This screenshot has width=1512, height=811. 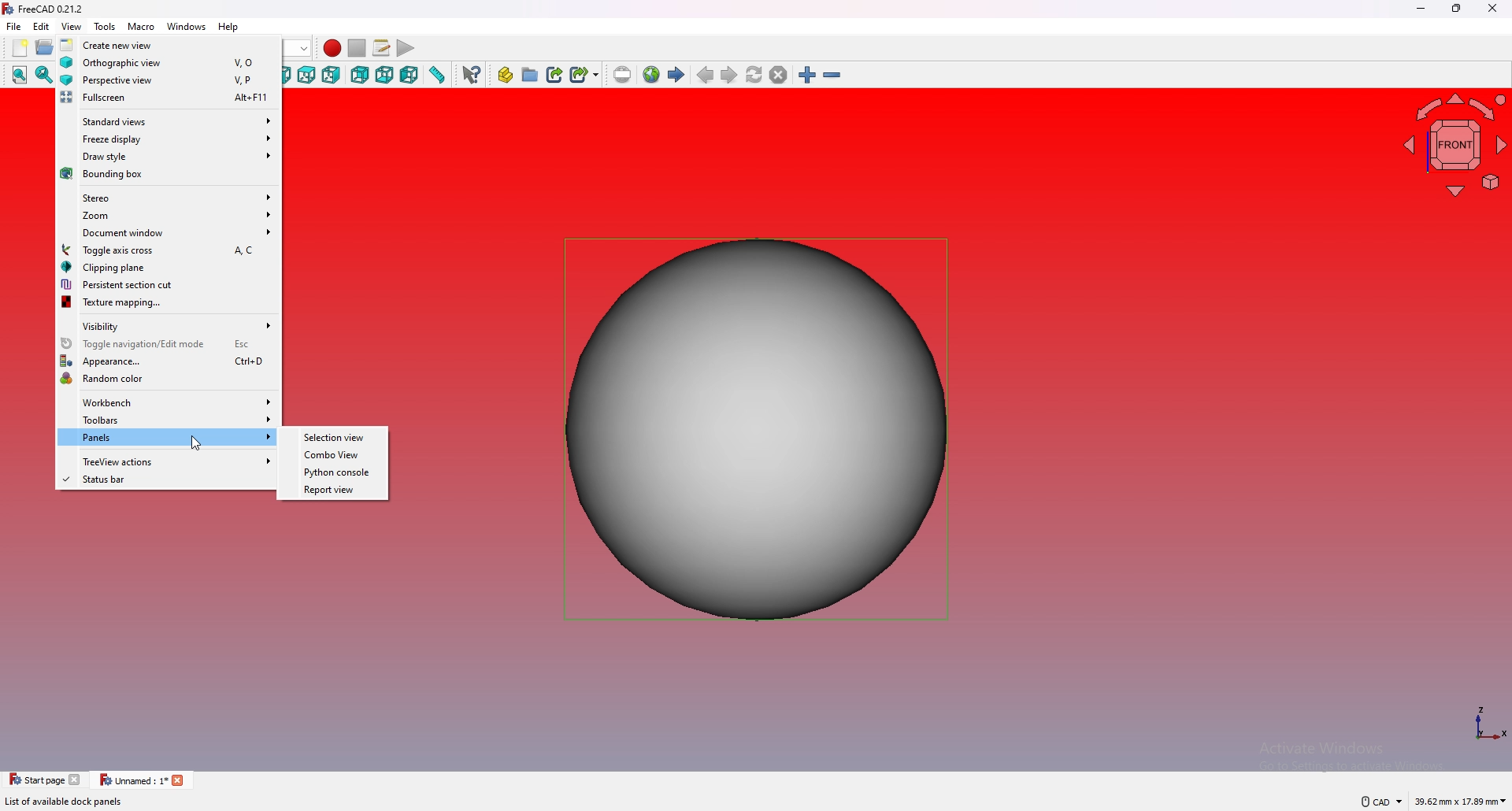 What do you see at coordinates (168, 267) in the screenshot?
I see `clipping pane` at bounding box center [168, 267].